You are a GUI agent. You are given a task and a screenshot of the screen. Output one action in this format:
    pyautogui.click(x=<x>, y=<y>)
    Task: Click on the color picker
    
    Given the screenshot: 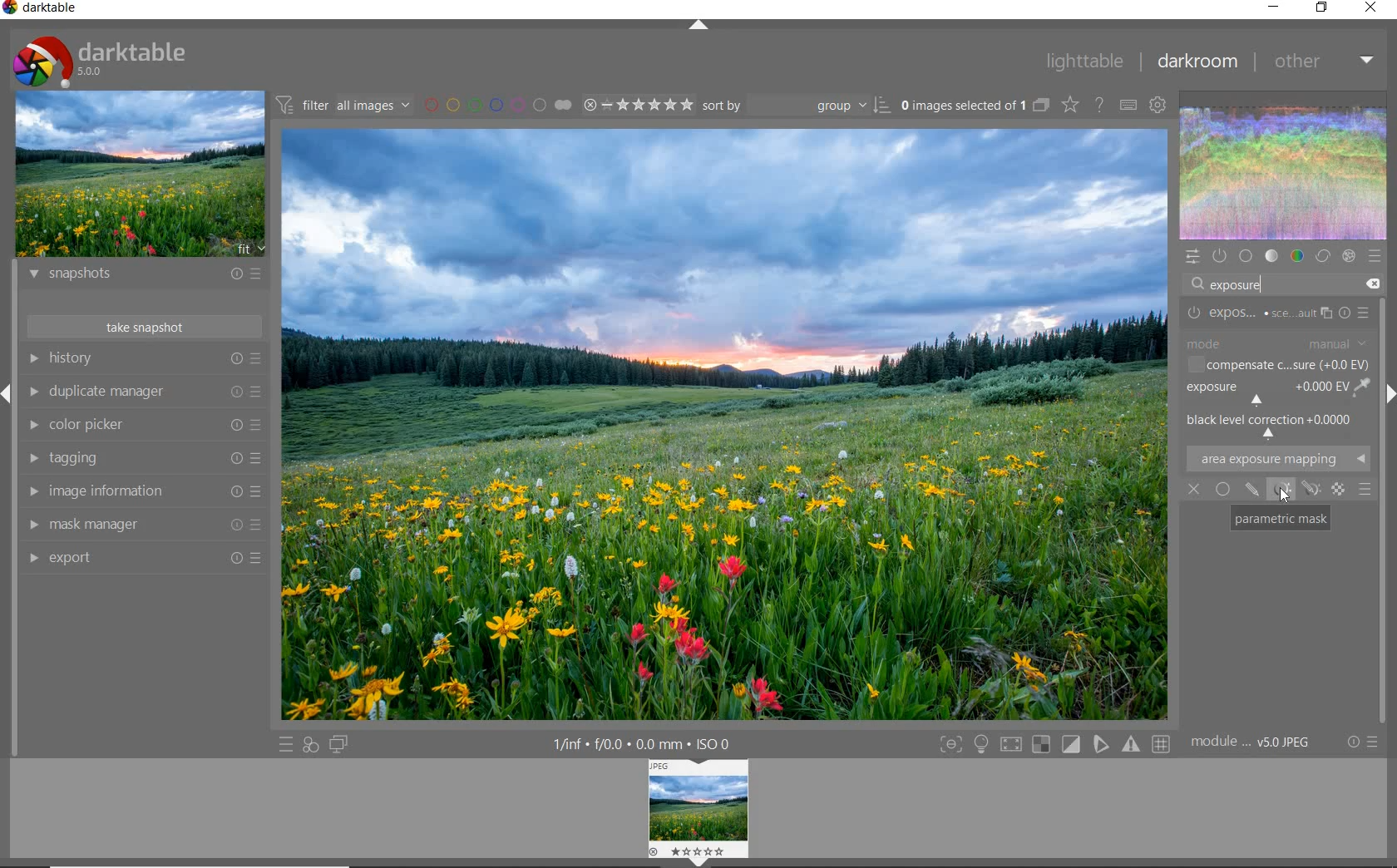 What is the action you would take?
    pyautogui.click(x=142, y=426)
    